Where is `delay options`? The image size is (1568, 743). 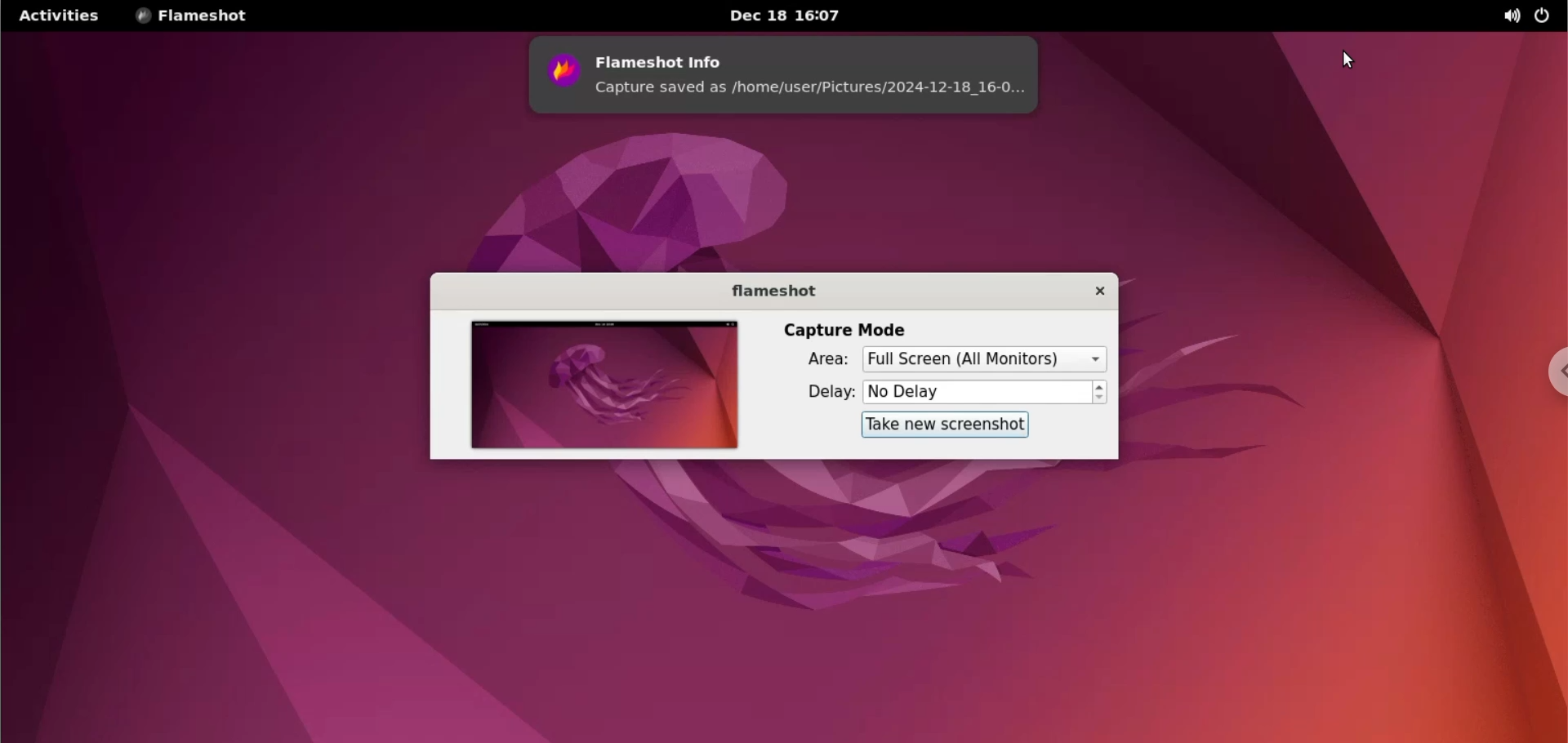
delay options is located at coordinates (984, 392).